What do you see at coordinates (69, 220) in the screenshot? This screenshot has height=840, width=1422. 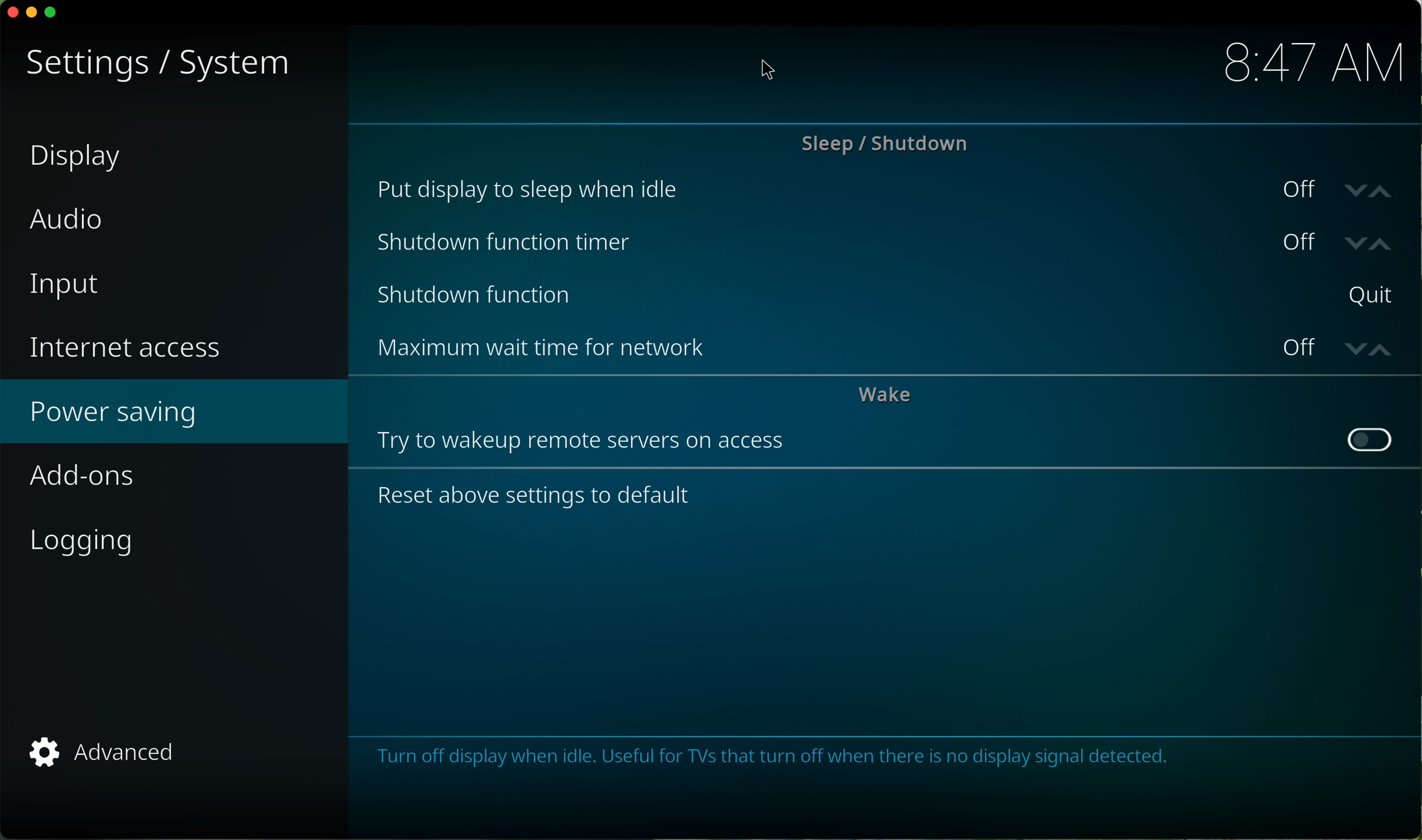 I see `audio` at bounding box center [69, 220].